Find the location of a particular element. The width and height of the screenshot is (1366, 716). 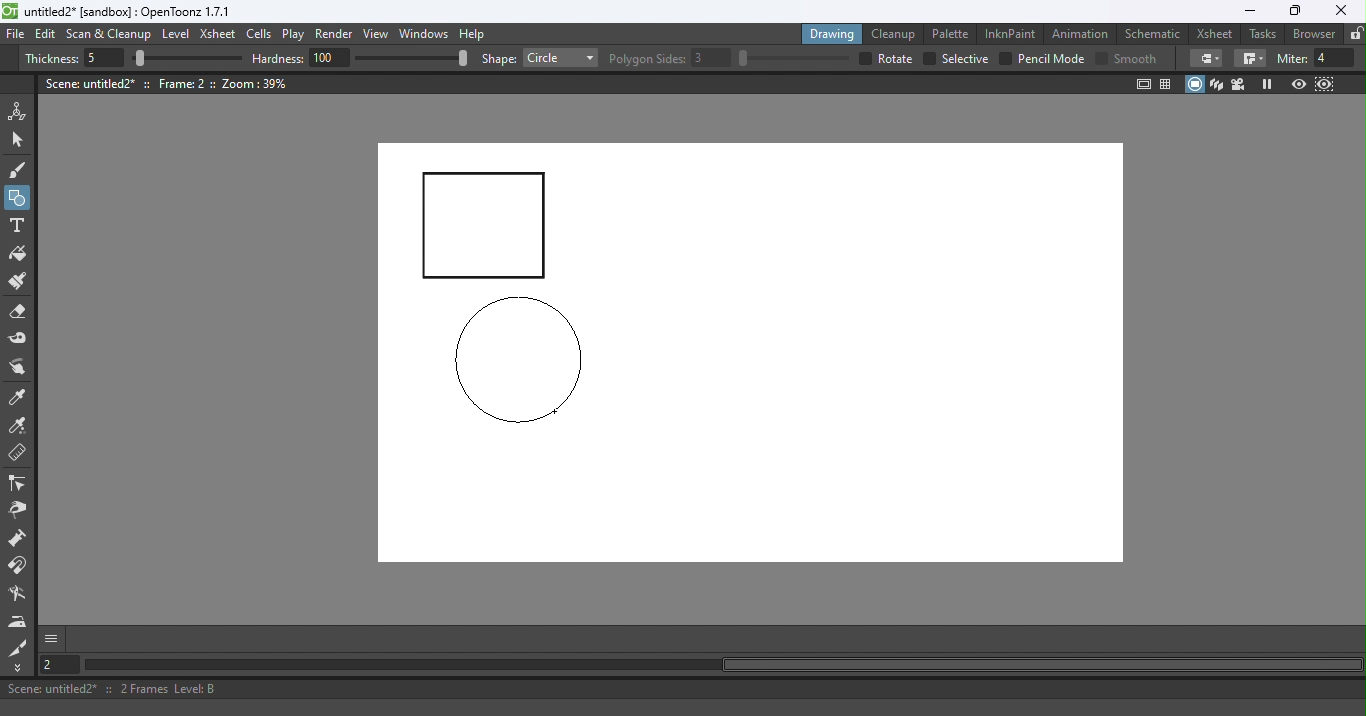

Cells is located at coordinates (262, 35).